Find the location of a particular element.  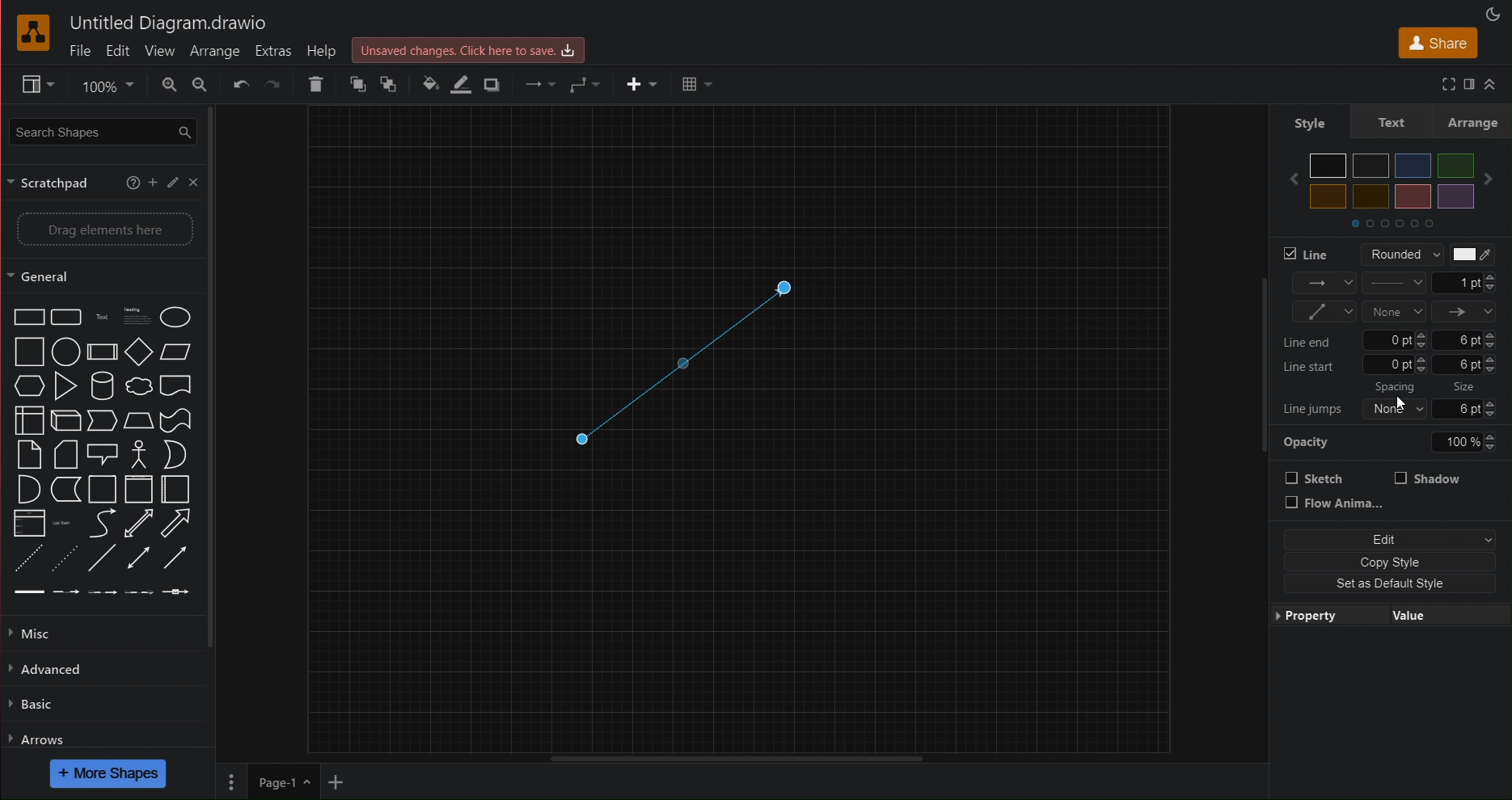

Scratchpad is located at coordinates (54, 182).